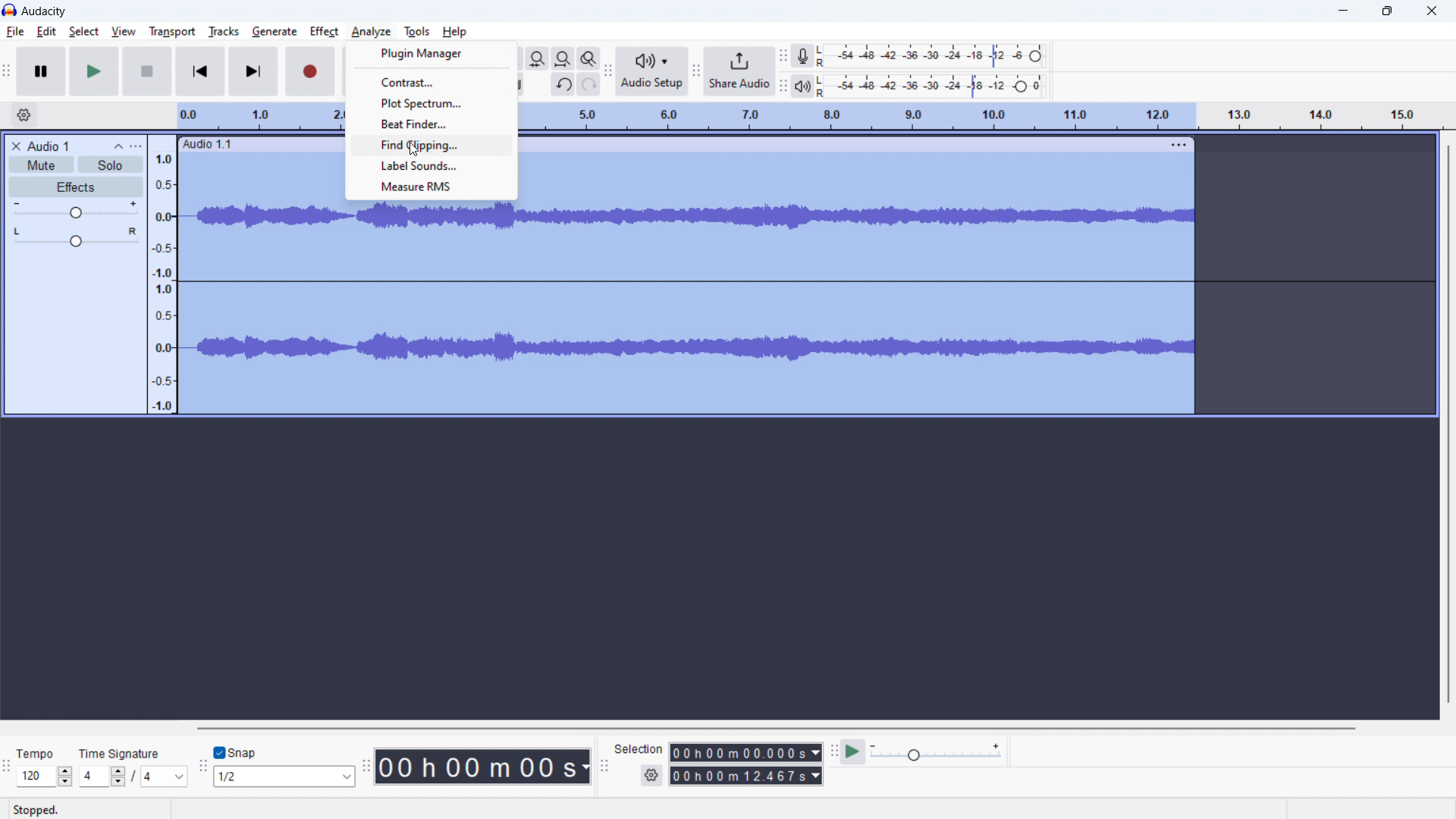  Describe the element at coordinates (42, 71) in the screenshot. I see `pause` at that location.